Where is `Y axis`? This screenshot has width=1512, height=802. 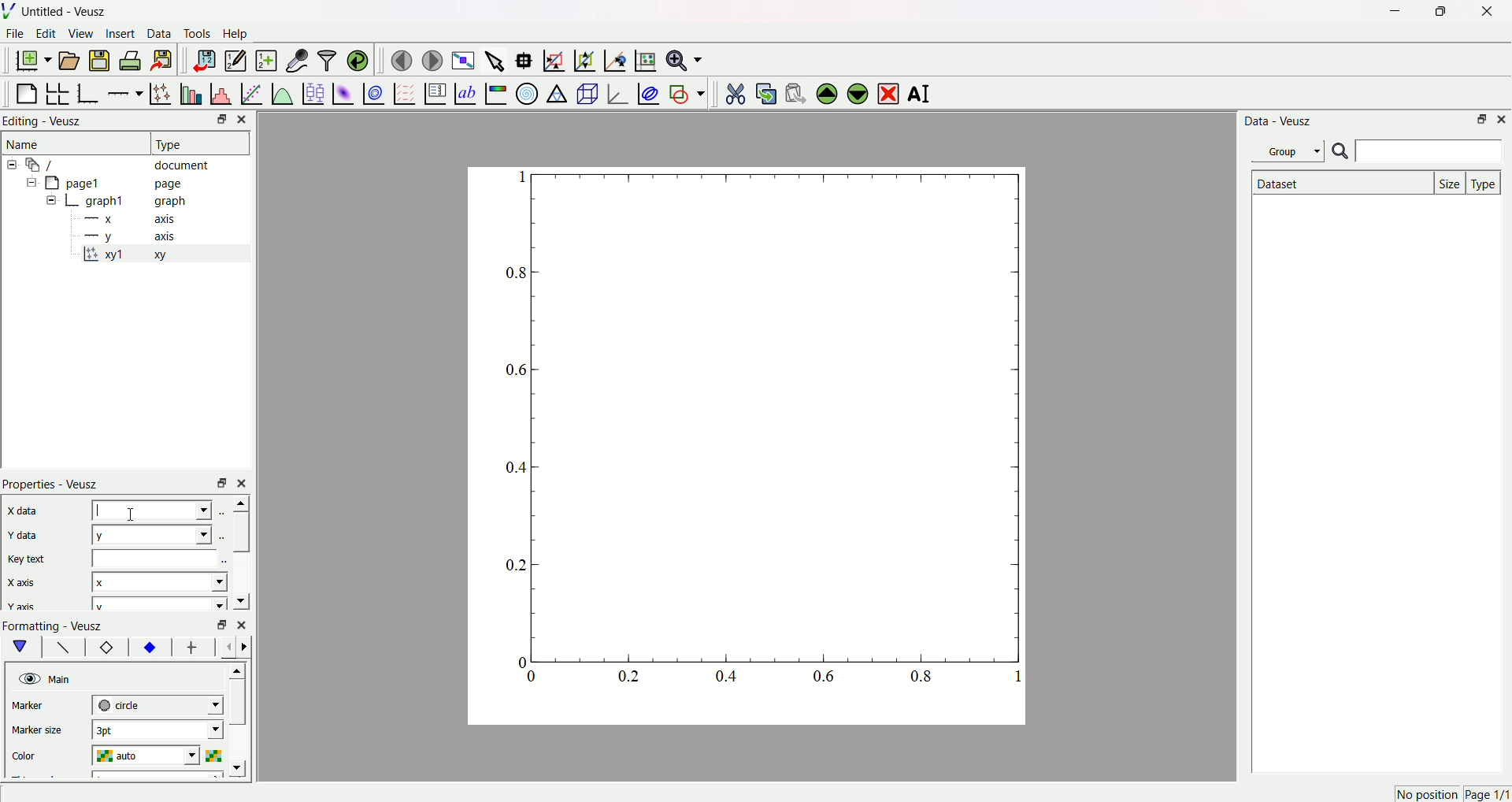
Y axis is located at coordinates (23, 607).